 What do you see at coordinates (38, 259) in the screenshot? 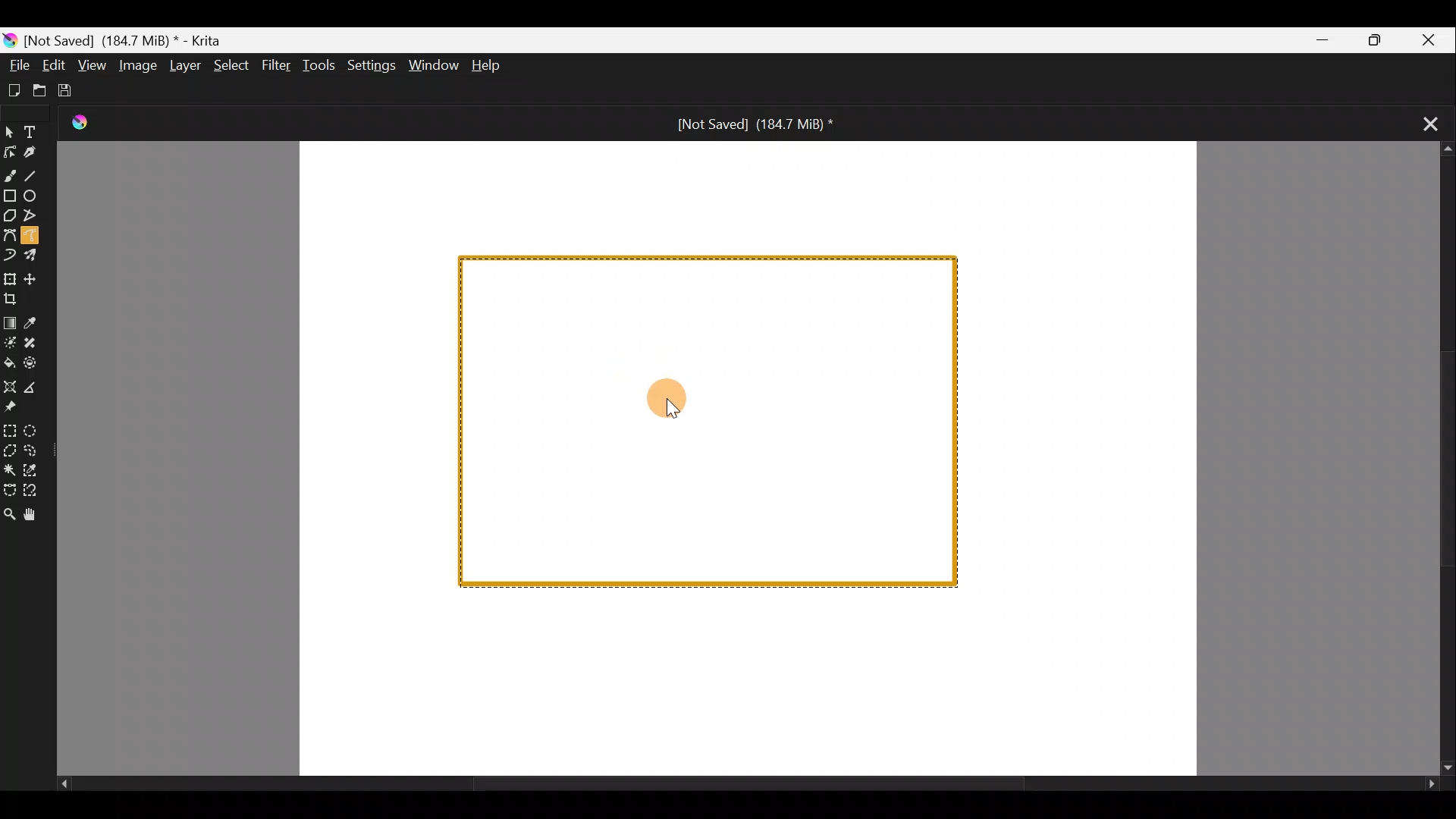
I see `Multibrush tool` at bounding box center [38, 259].